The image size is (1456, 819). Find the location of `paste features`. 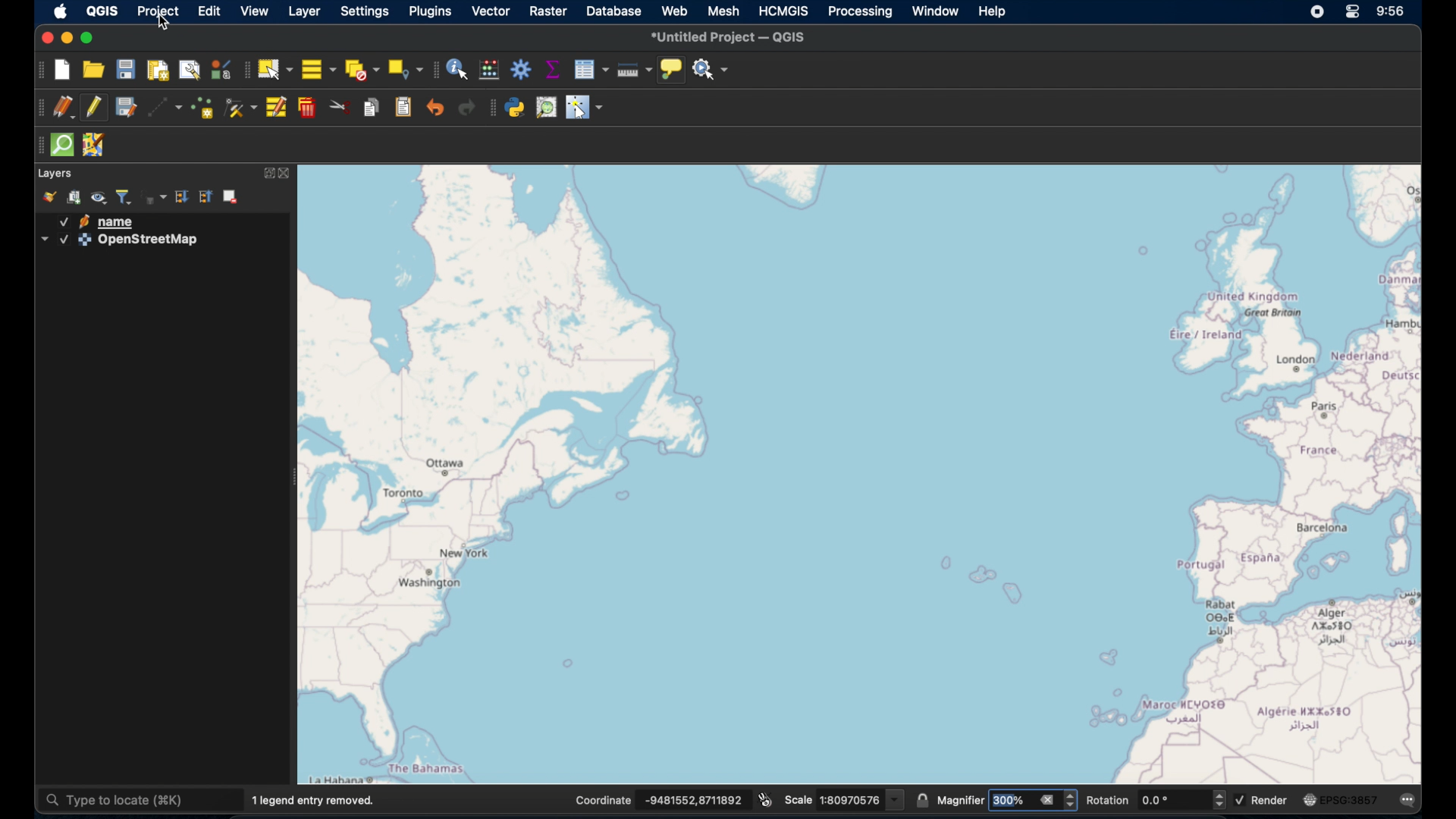

paste features is located at coordinates (404, 108).